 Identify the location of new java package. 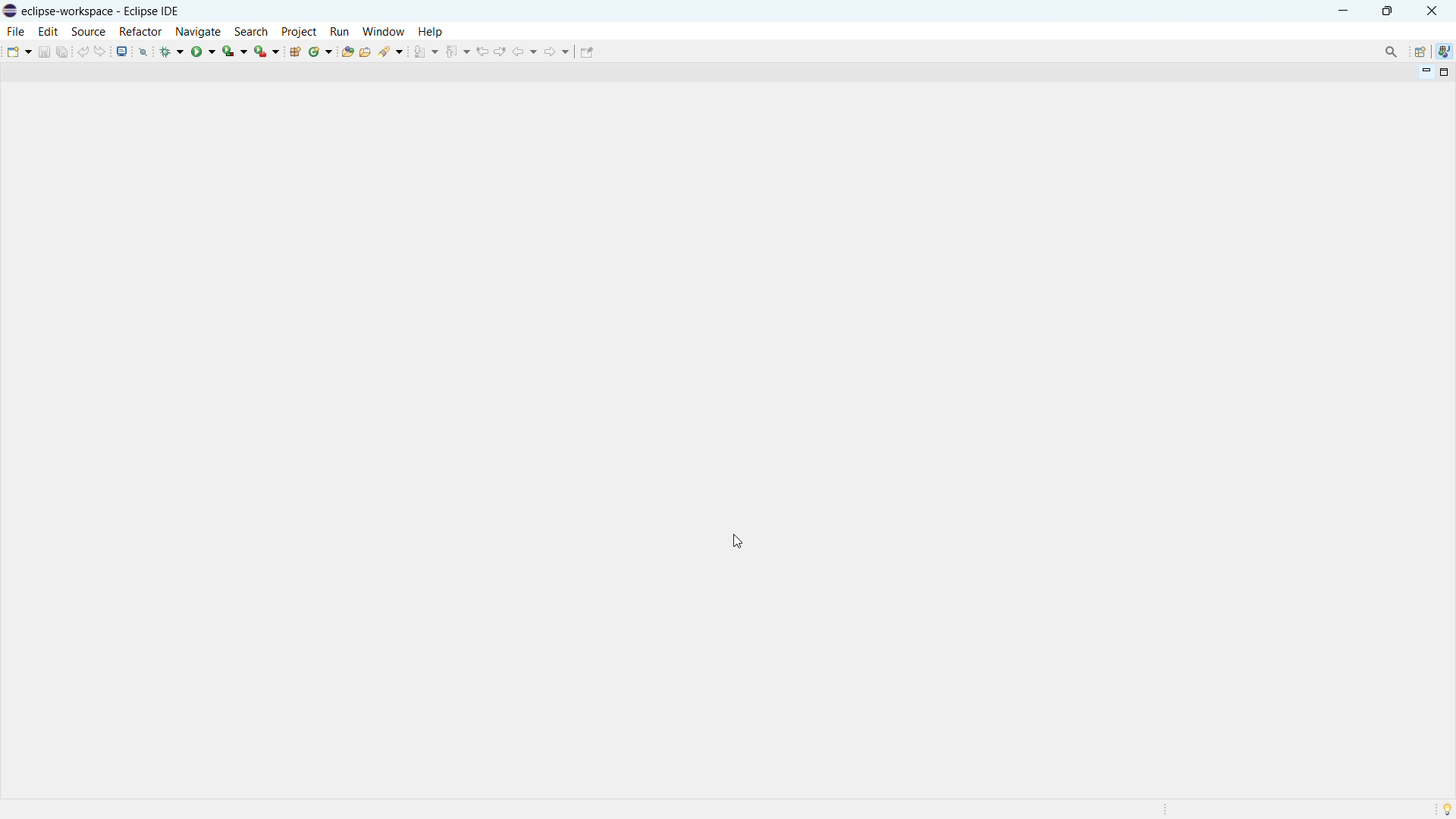
(295, 52).